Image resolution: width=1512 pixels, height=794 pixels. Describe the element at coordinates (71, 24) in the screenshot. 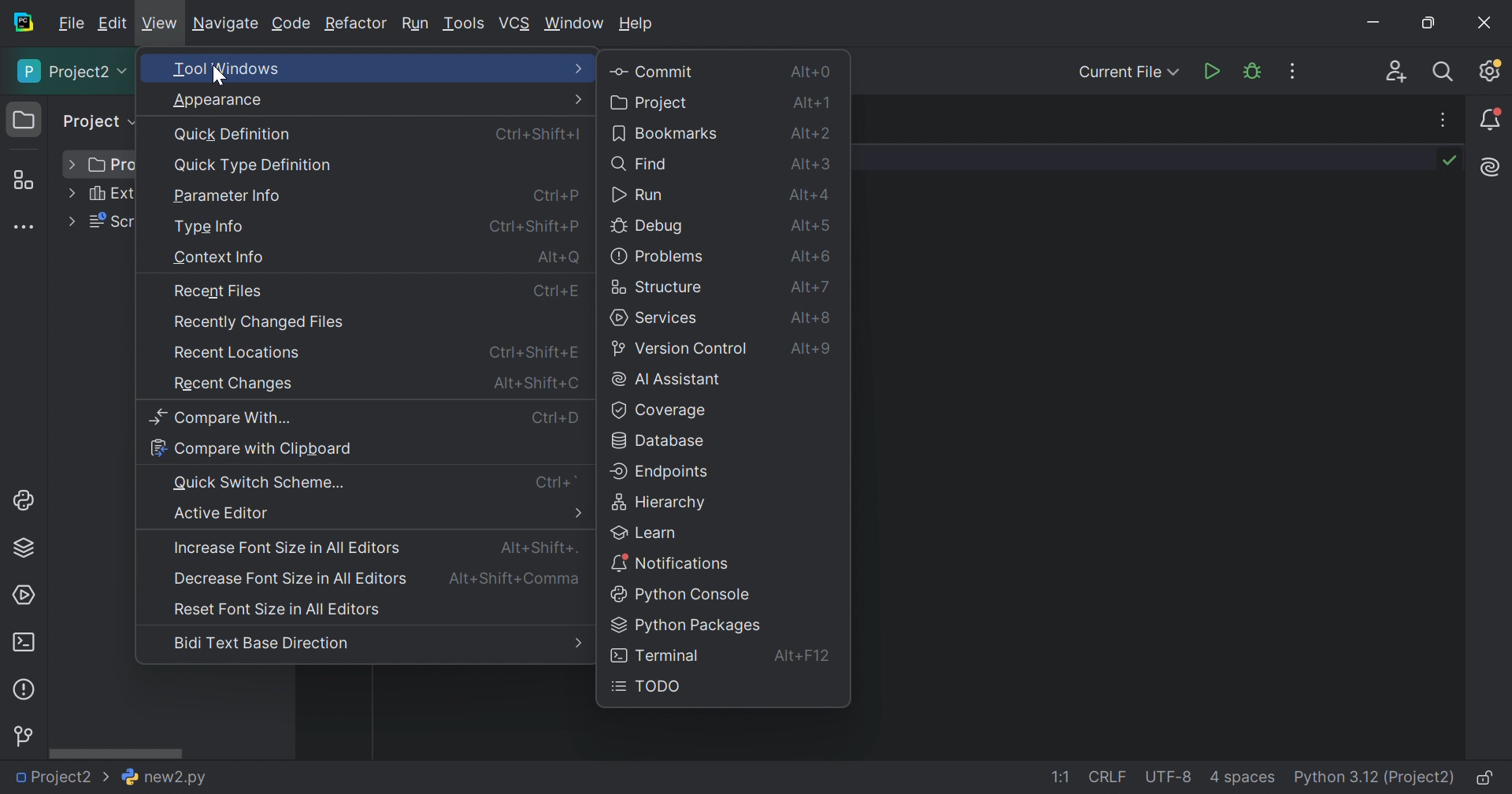

I see `File` at that location.